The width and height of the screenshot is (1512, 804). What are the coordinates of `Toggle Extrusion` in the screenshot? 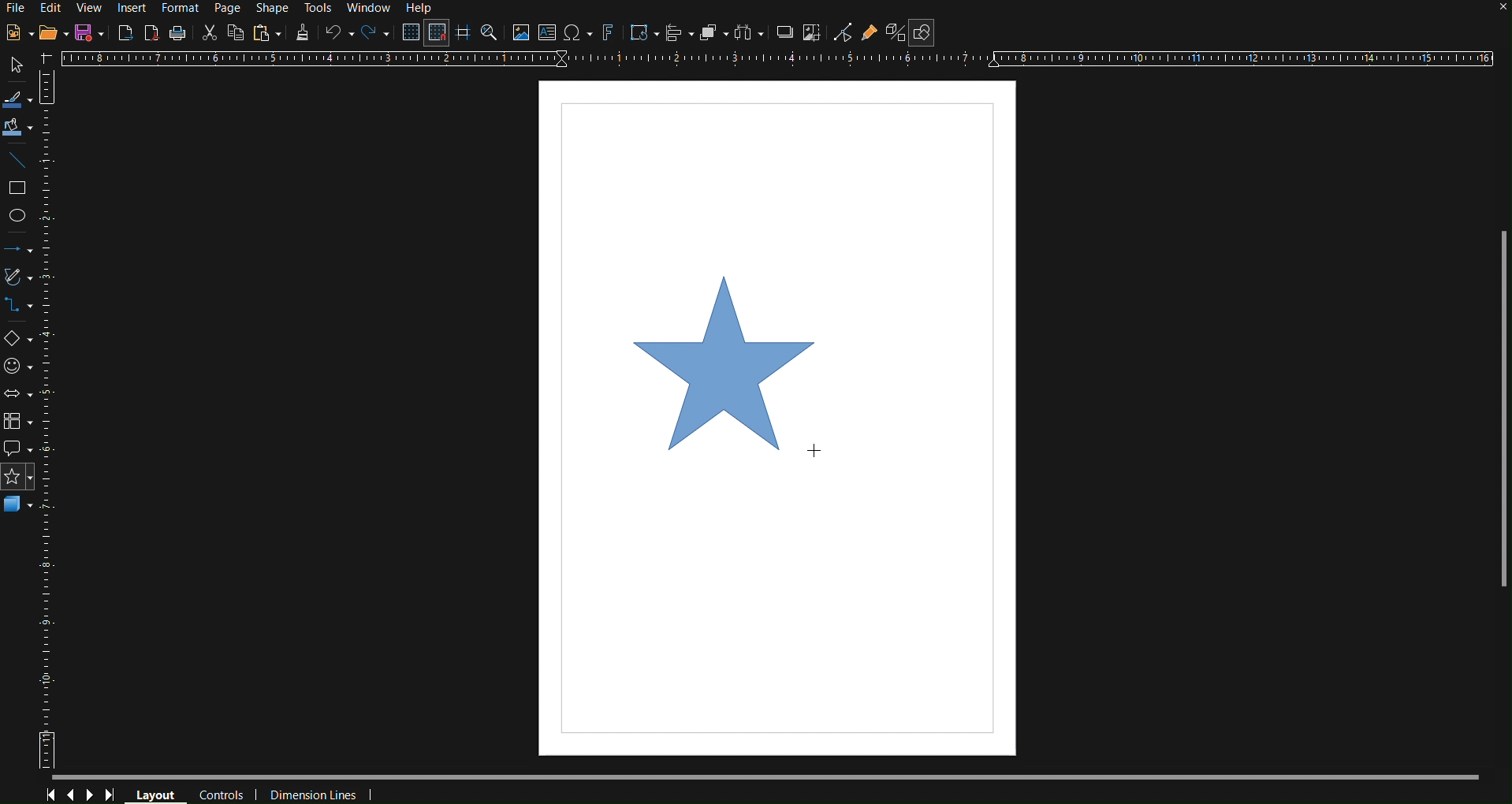 It's located at (896, 32).